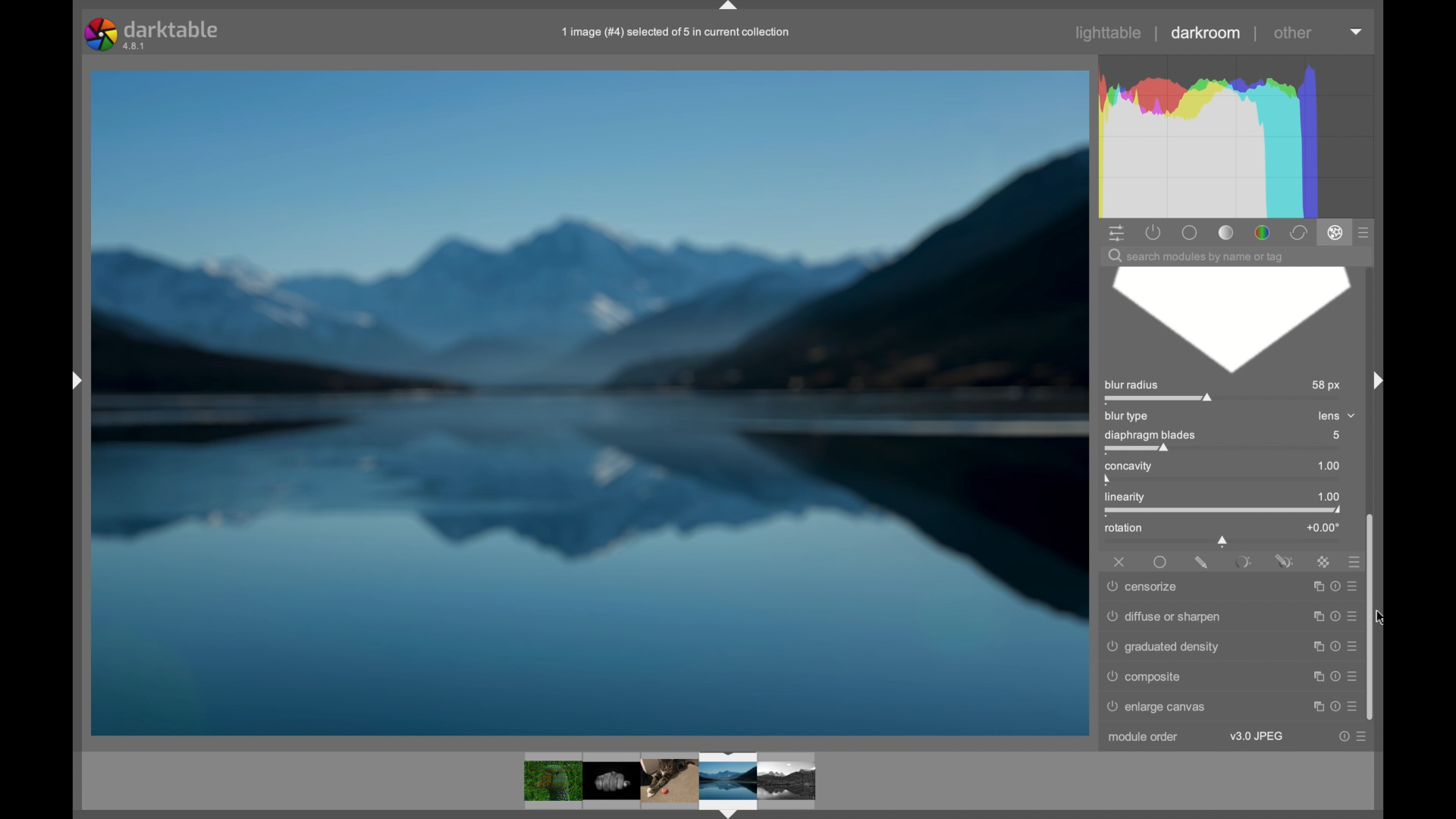  Describe the element at coordinates (1332, 643) in the screenshot. I see `Help` at that location.